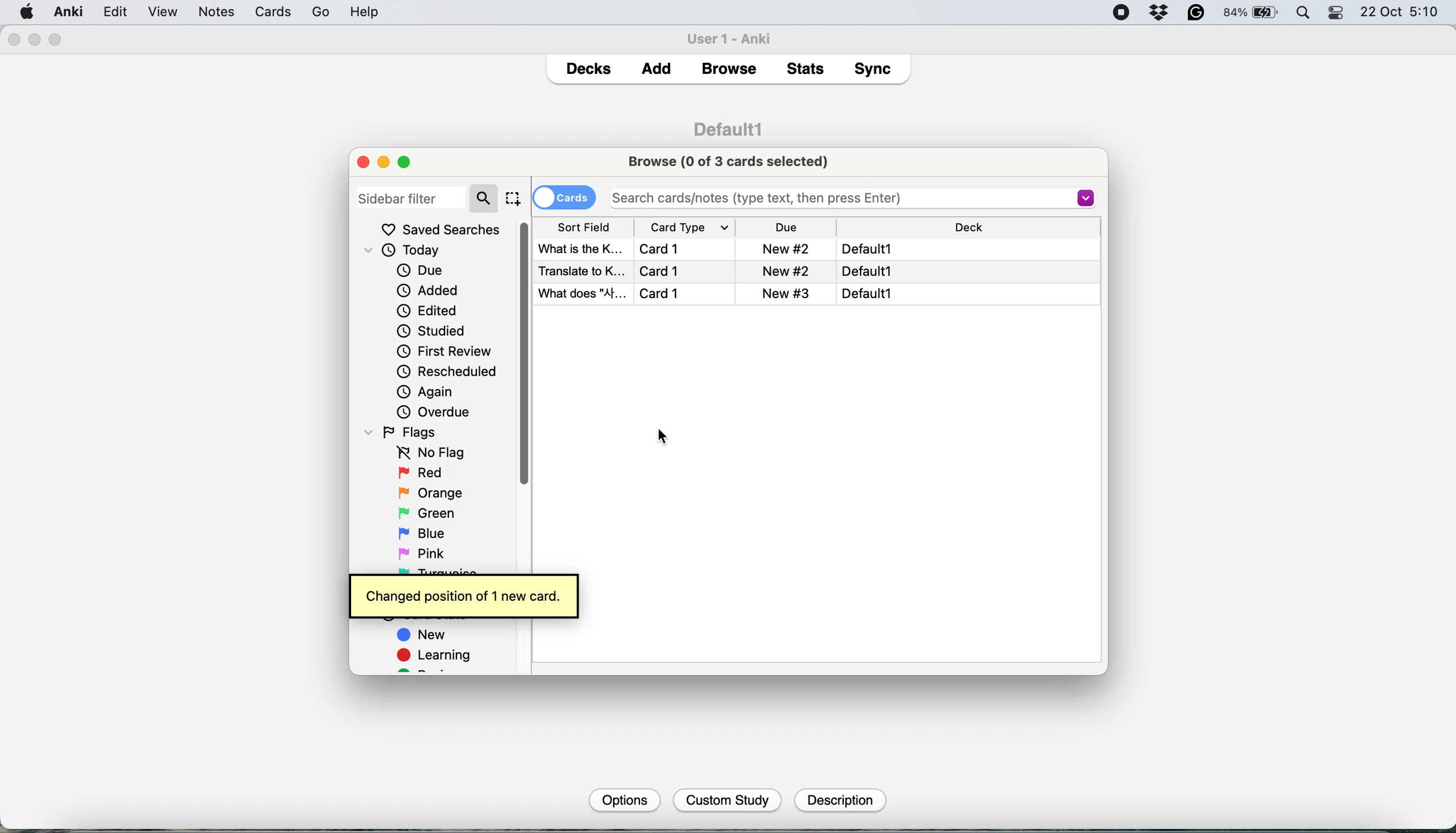 This screenshot has width=1456, height=833. Describe the element at coordinates (580, 247) in the screenshot. I see `What is the K...` at that location.